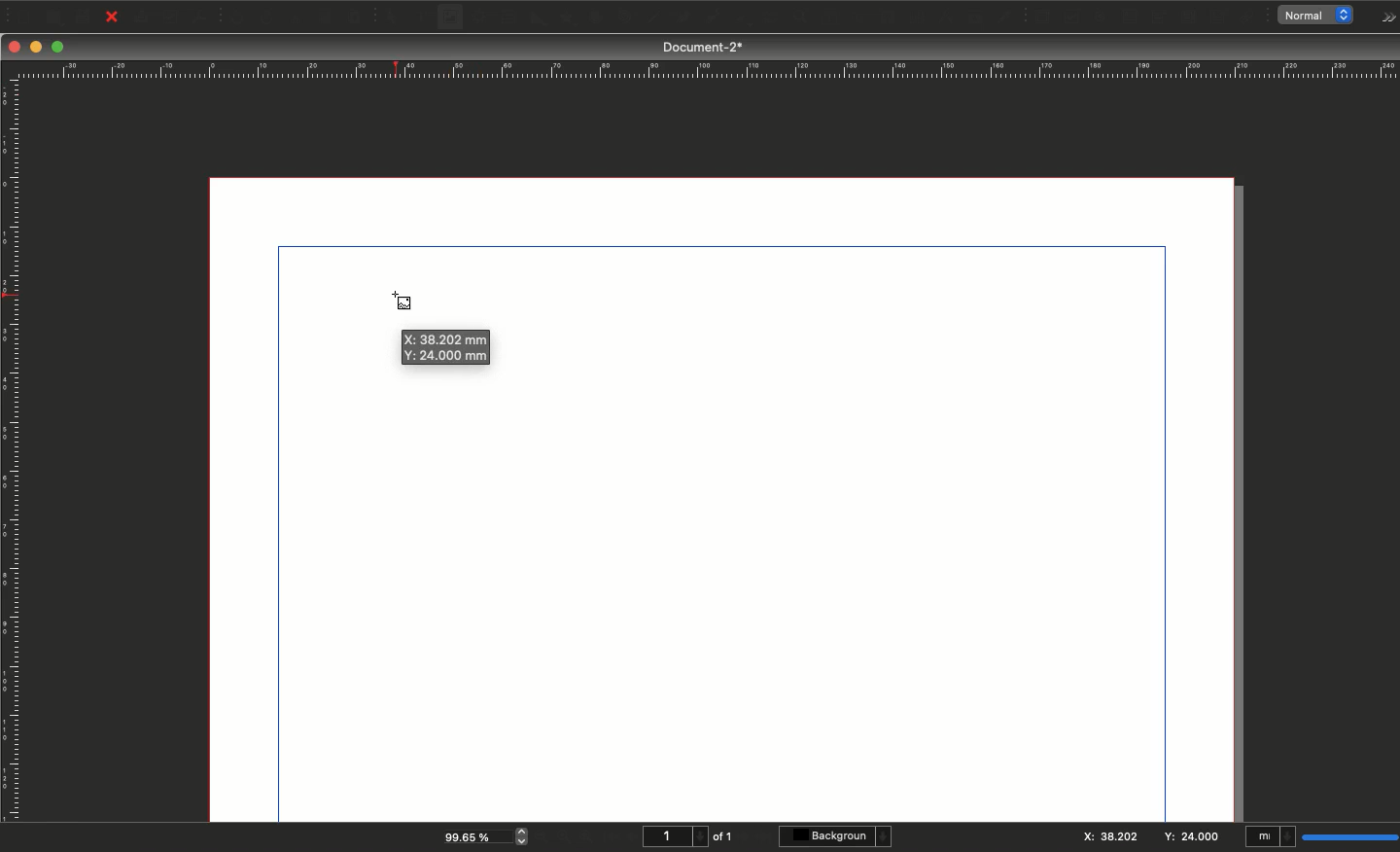 The height and width of the screenshot is (852, 1400). Describe the element at coordinates (507, 18) in the screenshot. I see `Table` at that location.